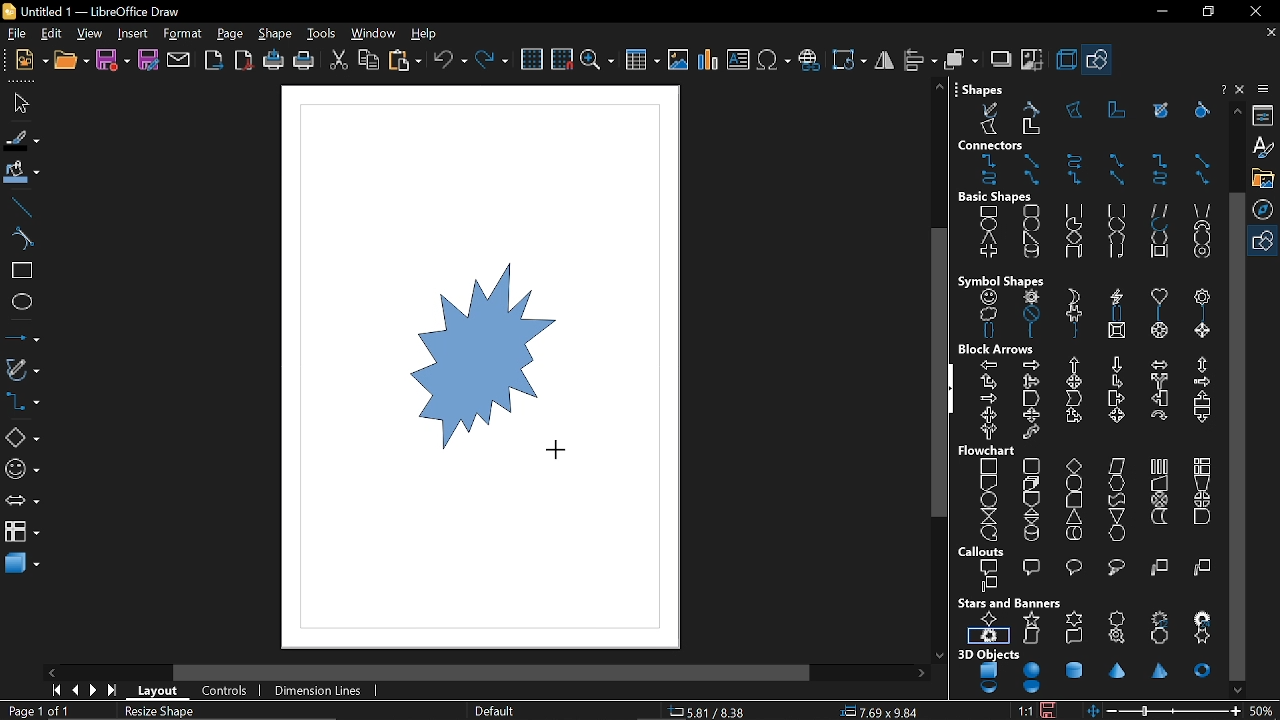 Image resolution: width=1280 pixels, height=720 pixels. Describe the element at coordinates (1263, 178) in the screenshot. I see `gallery` at that location.